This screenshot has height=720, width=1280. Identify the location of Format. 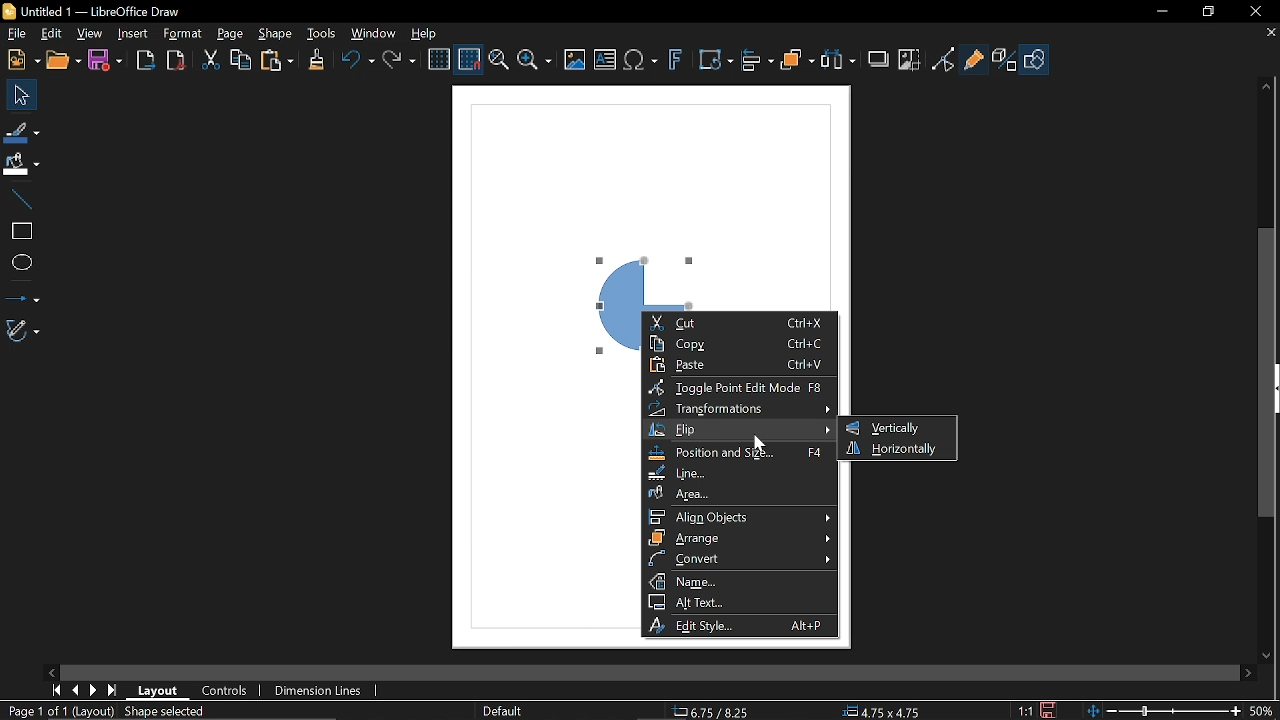
(185, 35).